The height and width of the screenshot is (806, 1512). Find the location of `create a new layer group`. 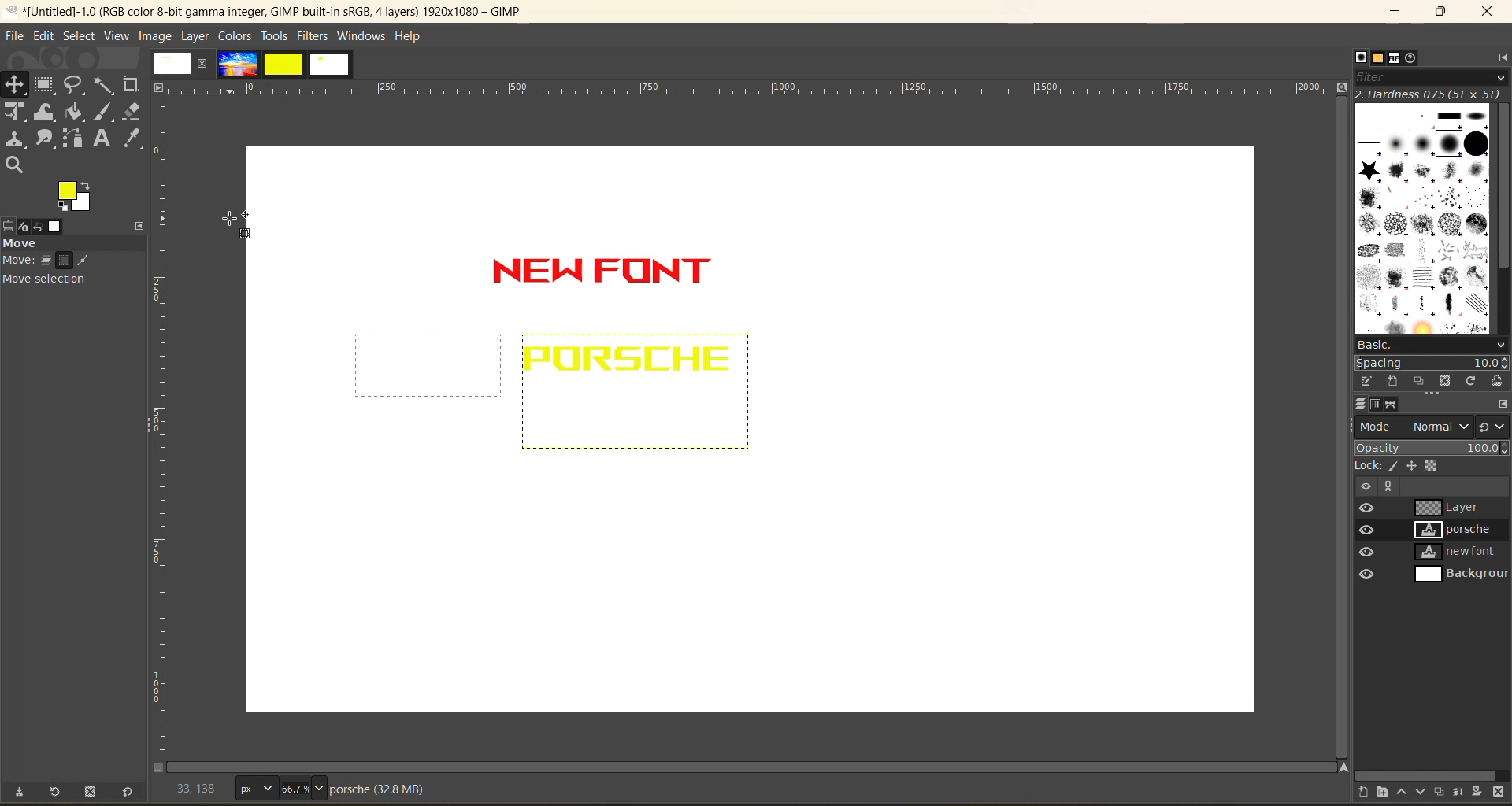

create a new layer group is located at coordinates (1378, 793).